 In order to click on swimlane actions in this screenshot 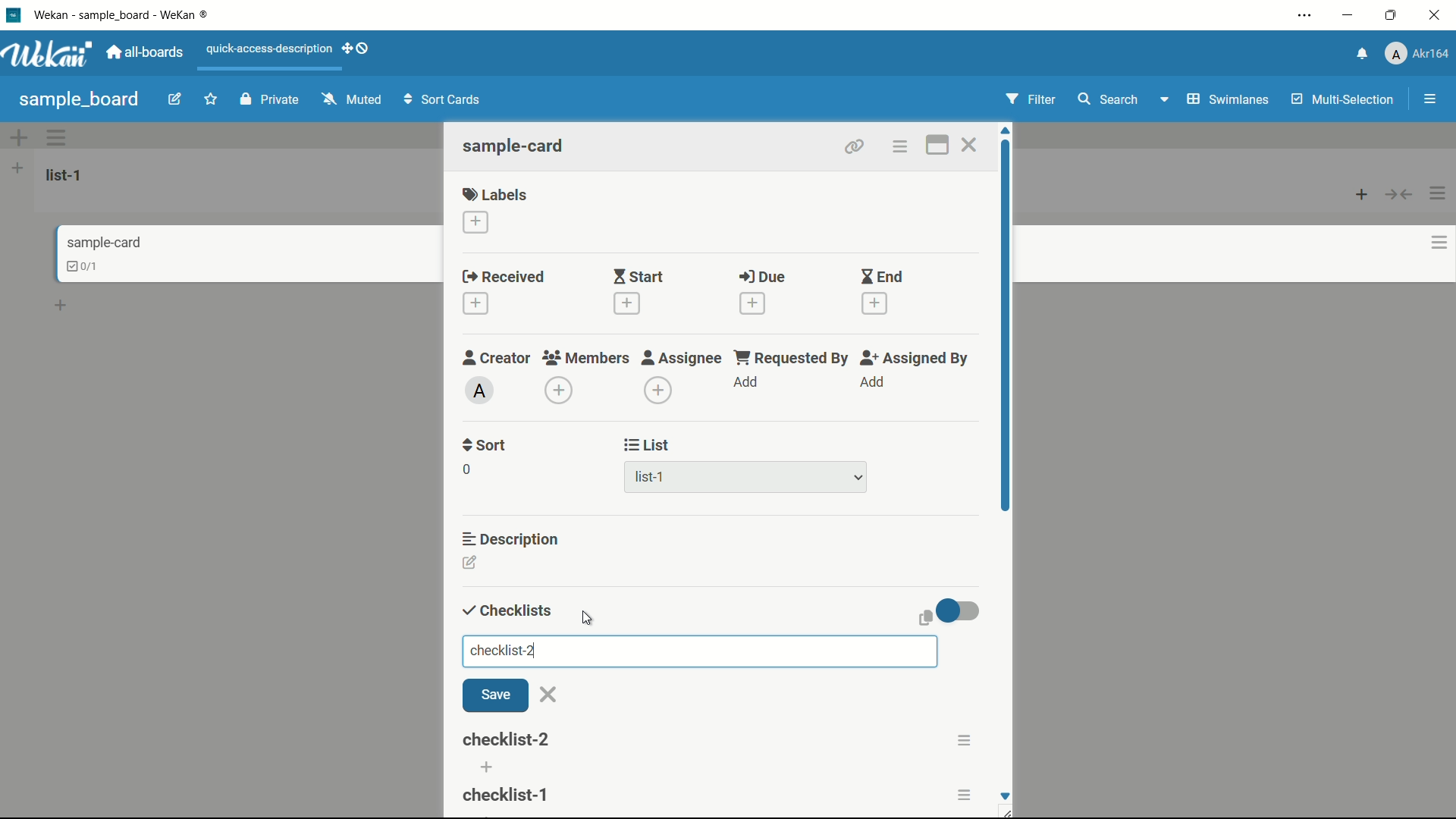, I will do `click(58, 137)`.